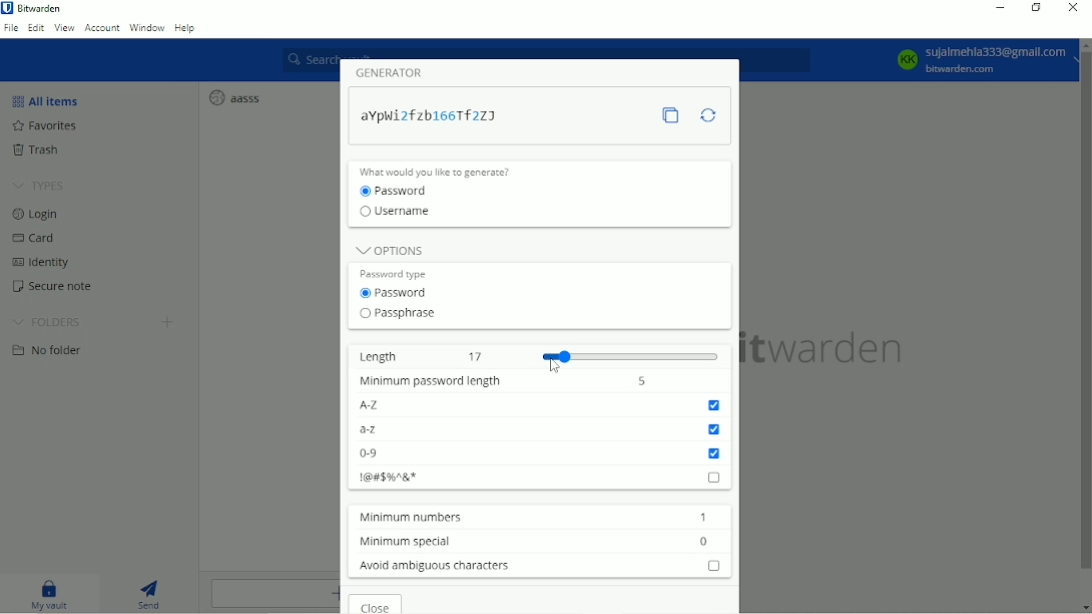  Describe the element at coordinates (477, 355) in the screenshot. I see `17` at that location.